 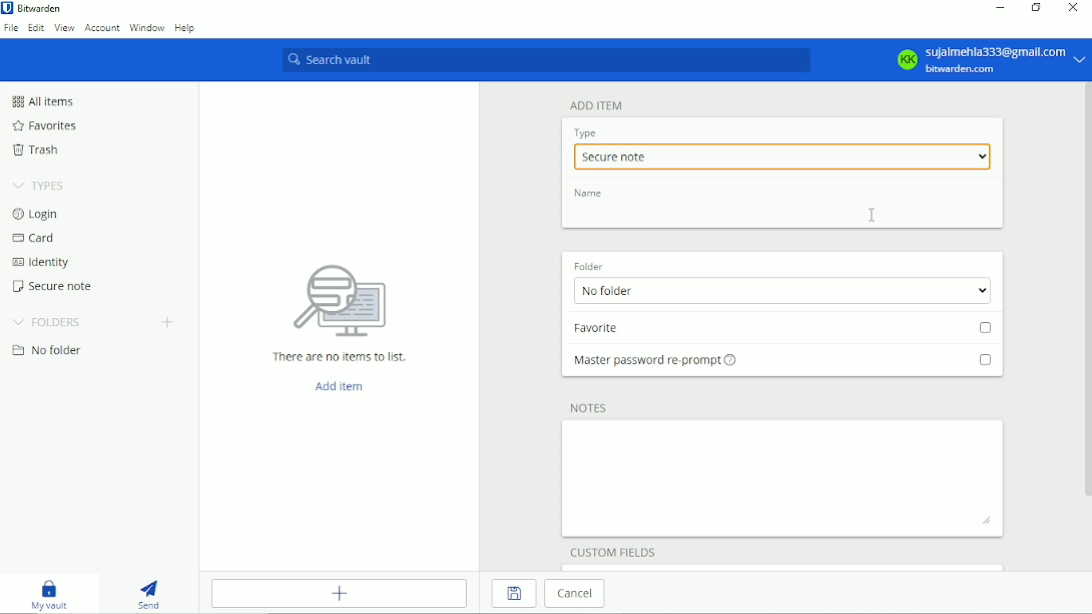 What do you see at coordinates (37, 213) in the screenshot?
I see `Login` at bounding box center [37, 213].